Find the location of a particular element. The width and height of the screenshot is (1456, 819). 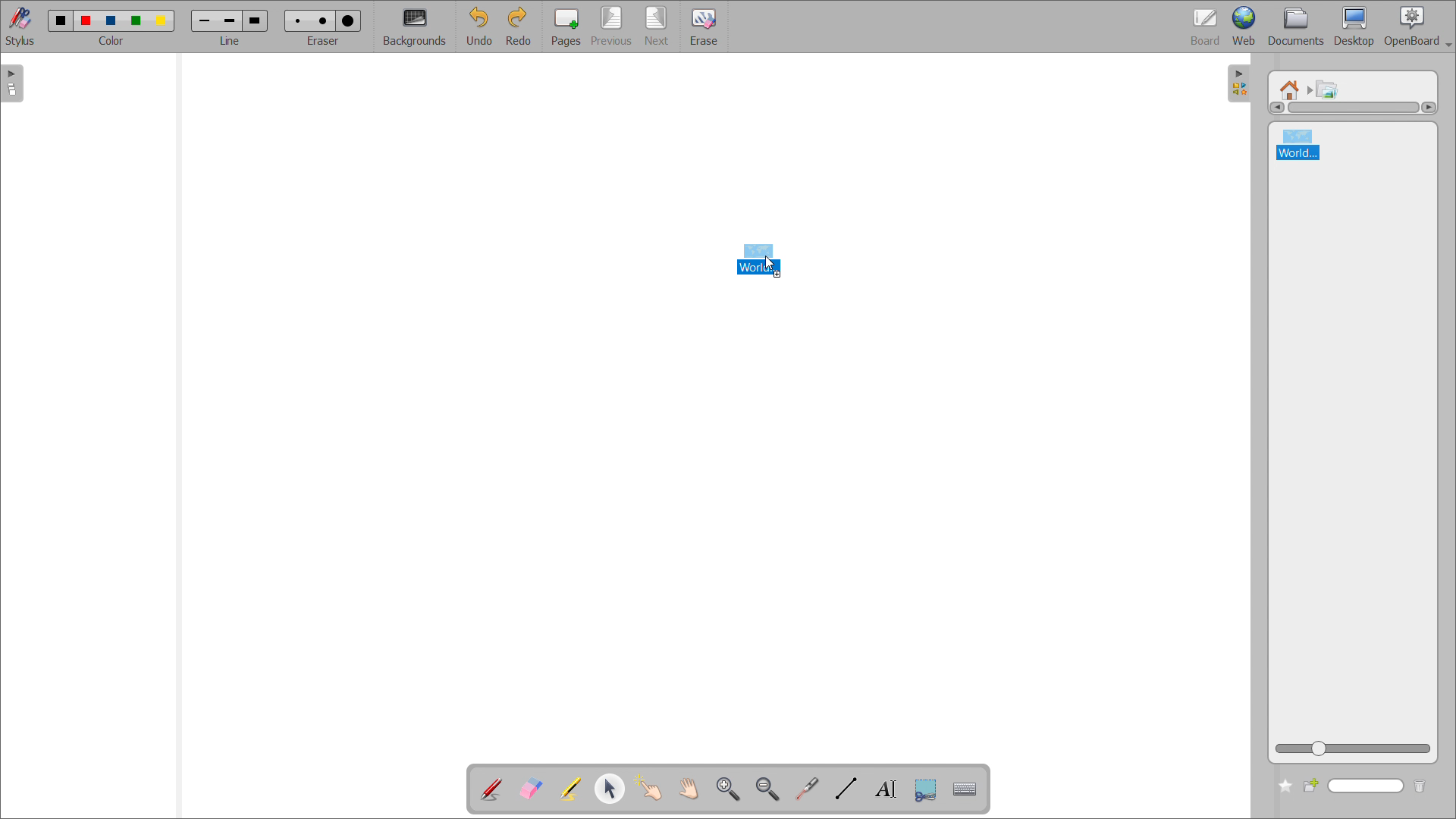

highlight is located at coordinates (571, 790).